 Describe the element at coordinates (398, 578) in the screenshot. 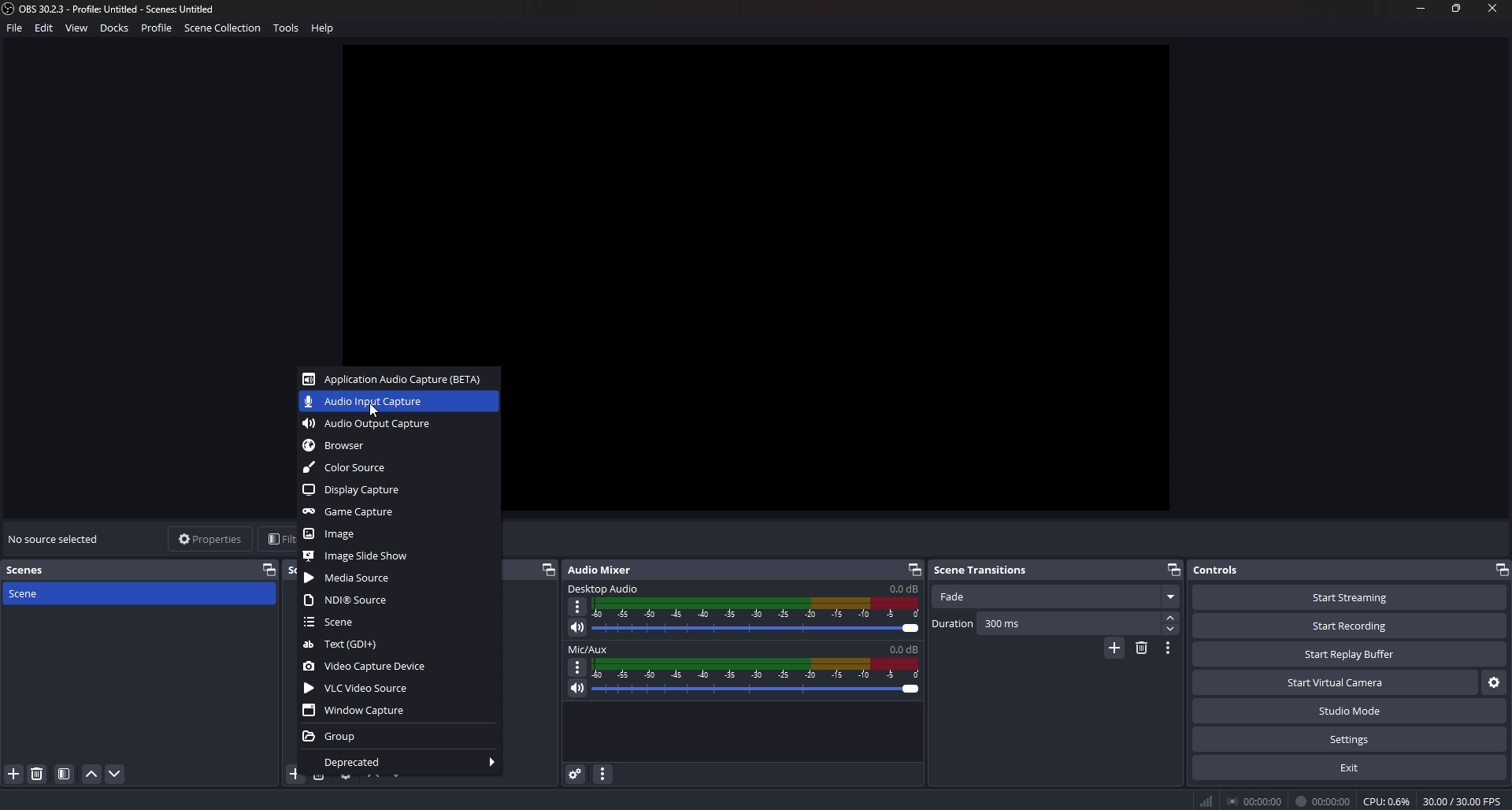

I see `media source` at that location.